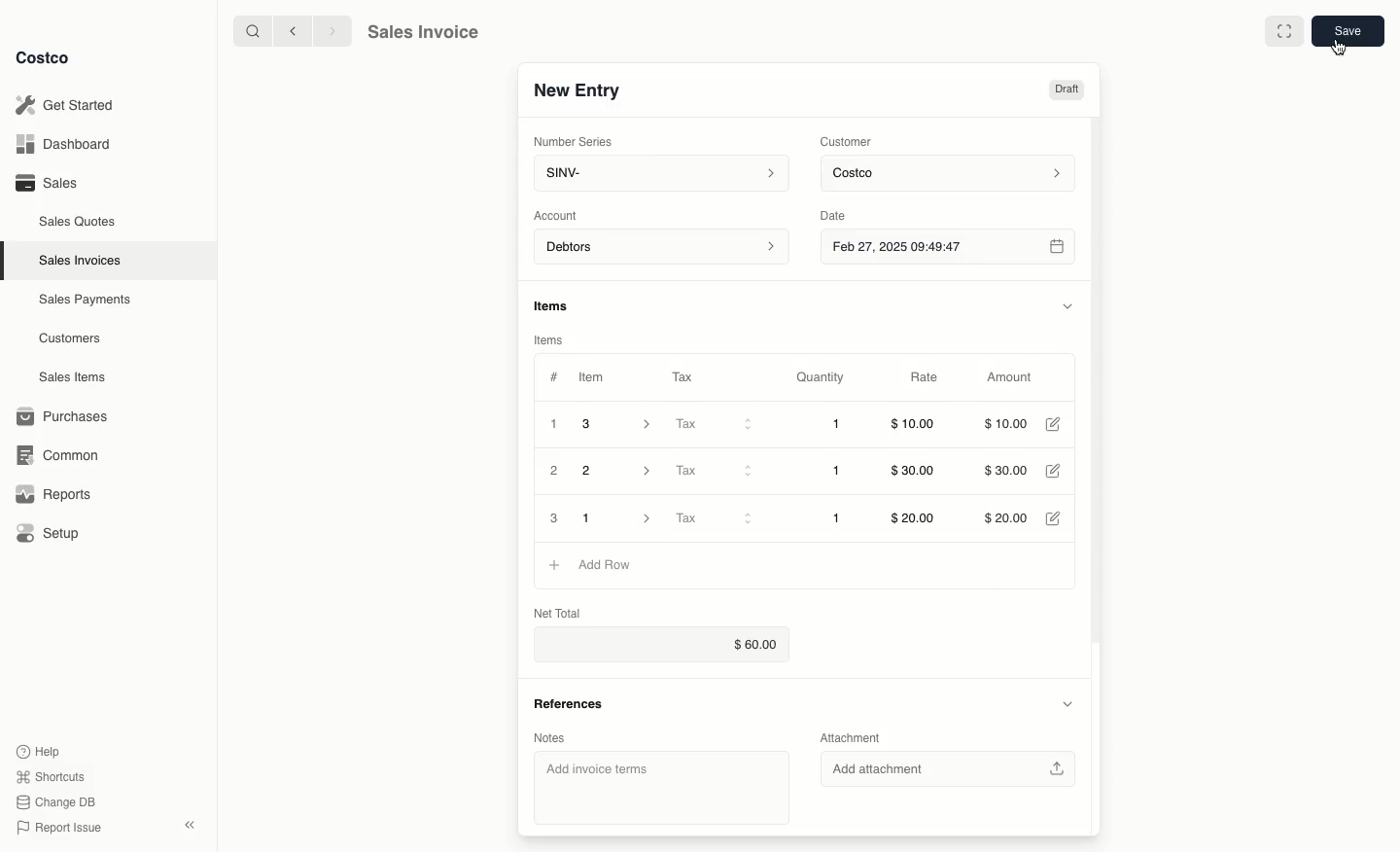  I want to click on 1, so click(838, 426).